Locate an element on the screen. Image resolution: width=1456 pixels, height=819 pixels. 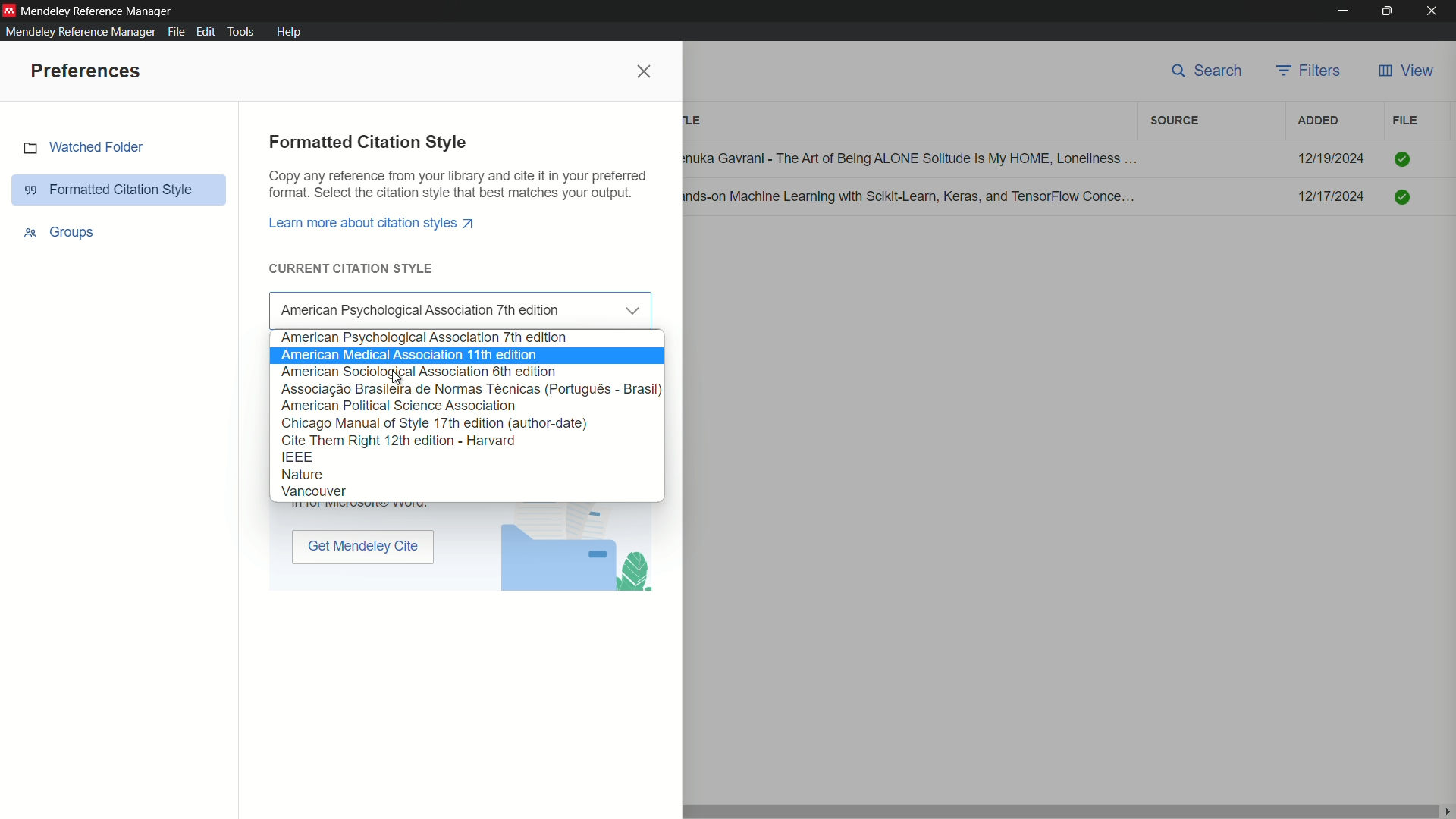
Select Citation Style is located at coordinates (463, 312).